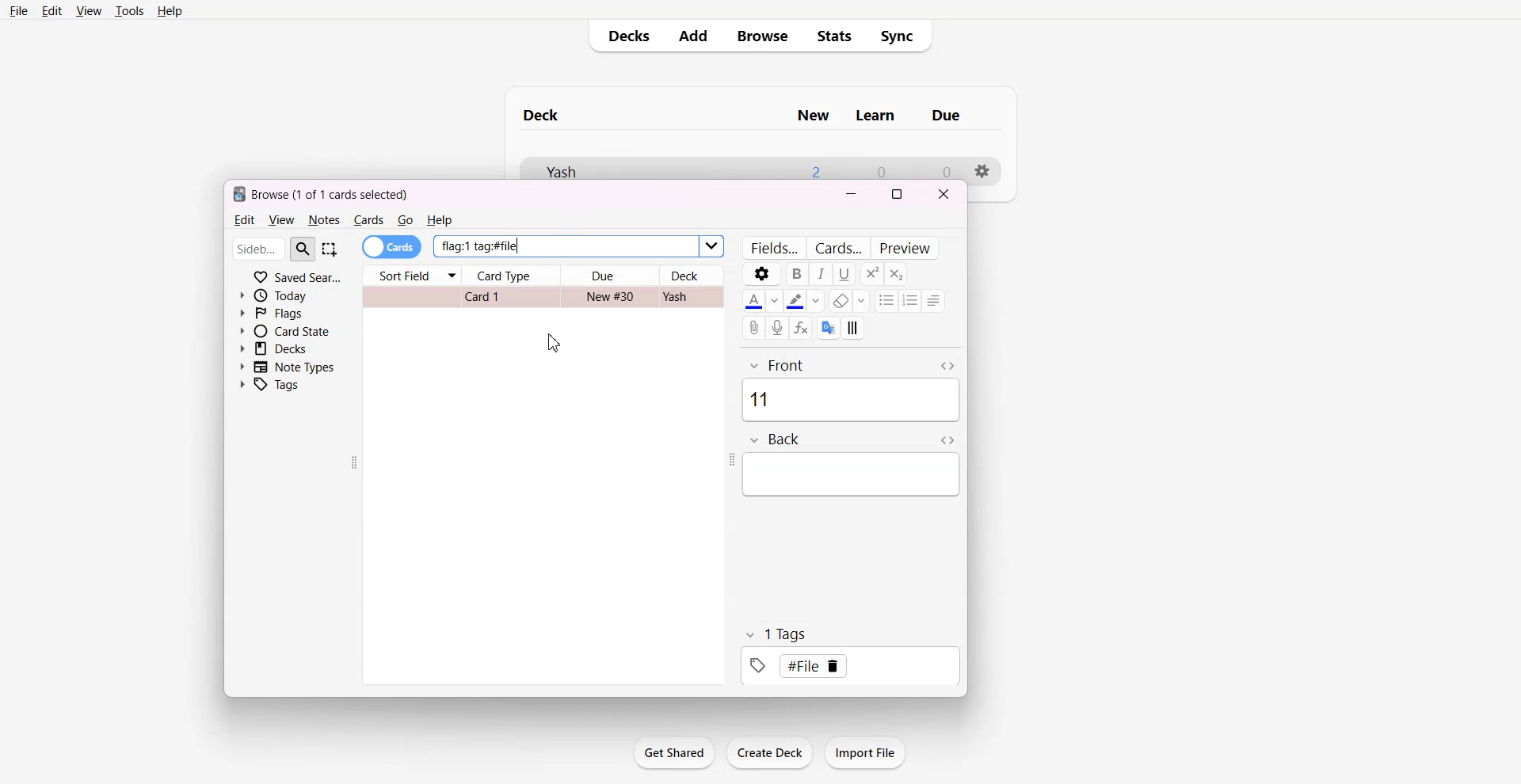 This screenshot has width=1521, height=784. Describe the element at coordinates (684, 298) in the screenshot. I see `yash` at that location.